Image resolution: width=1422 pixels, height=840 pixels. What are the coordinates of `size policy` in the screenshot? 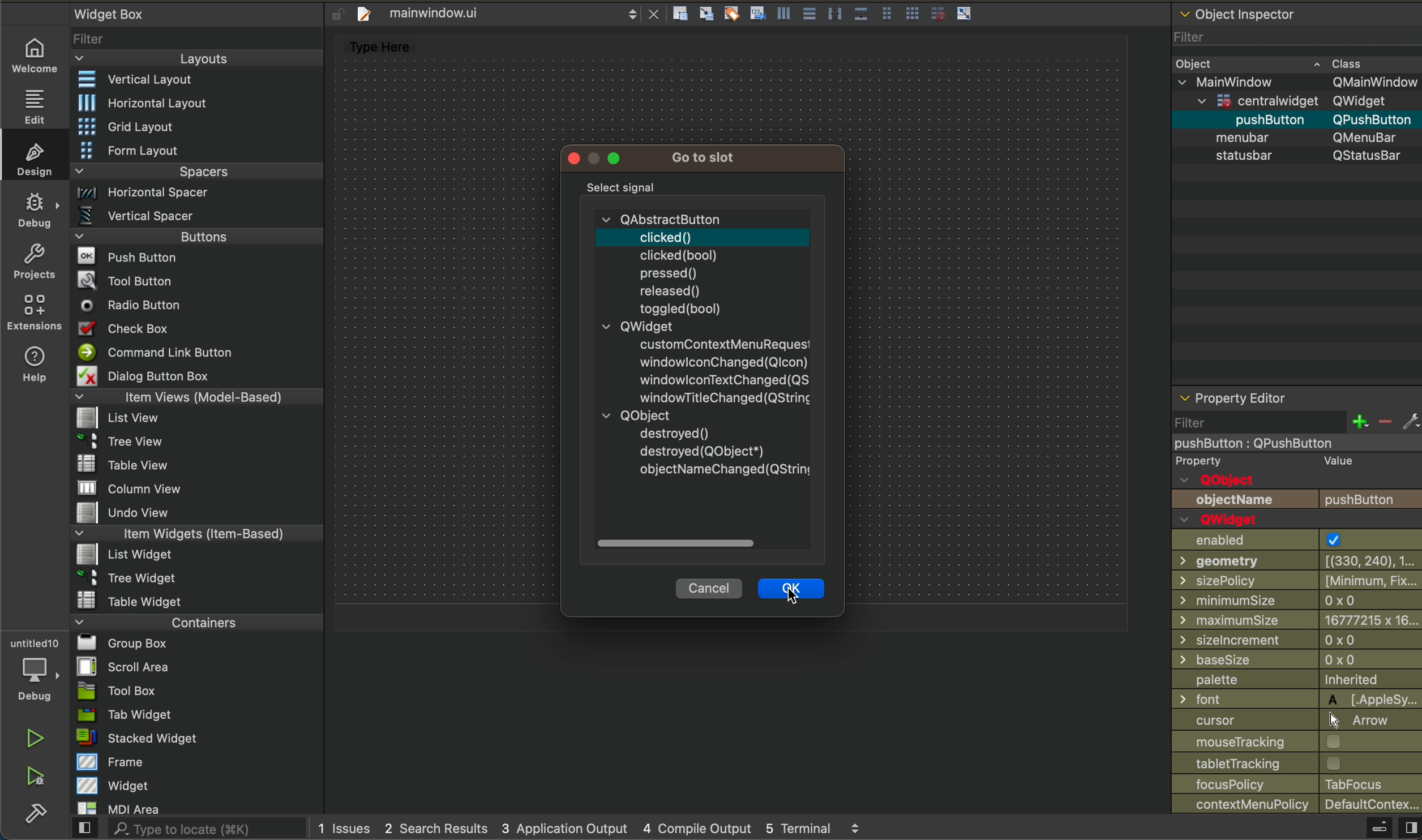 It's located at (1296, 579).